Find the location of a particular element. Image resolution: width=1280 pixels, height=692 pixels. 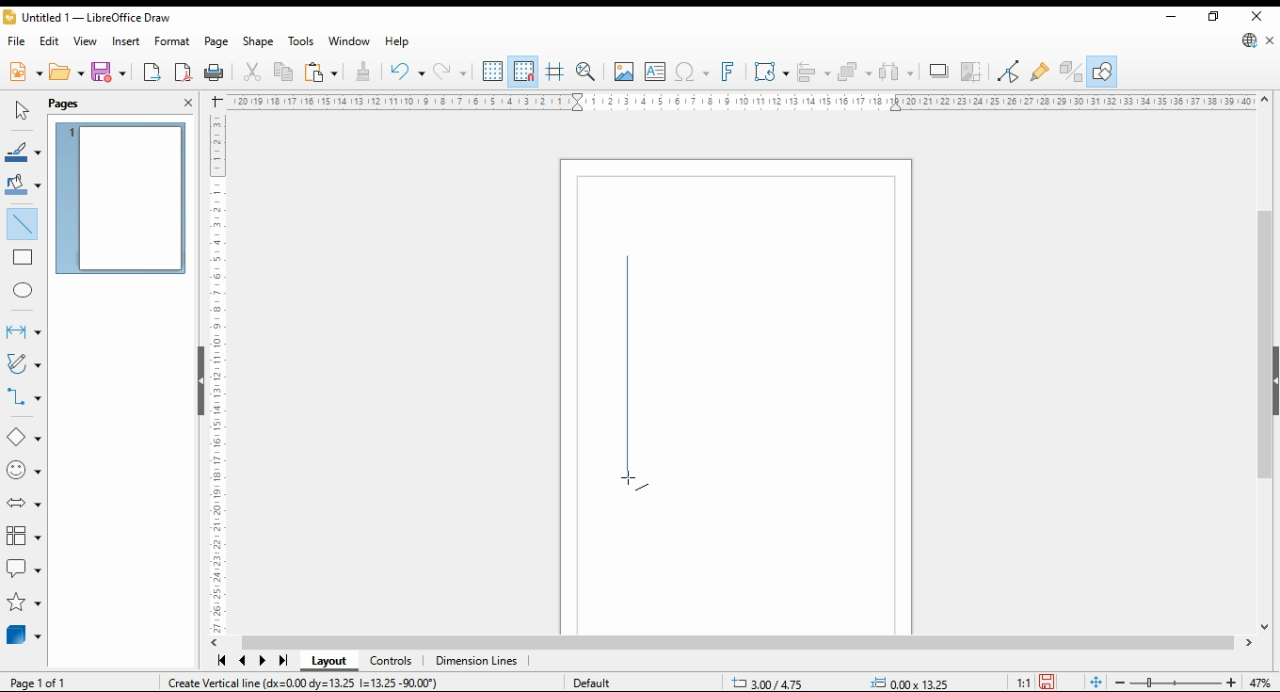

lines and arrows is located at coordinates (23, 331).